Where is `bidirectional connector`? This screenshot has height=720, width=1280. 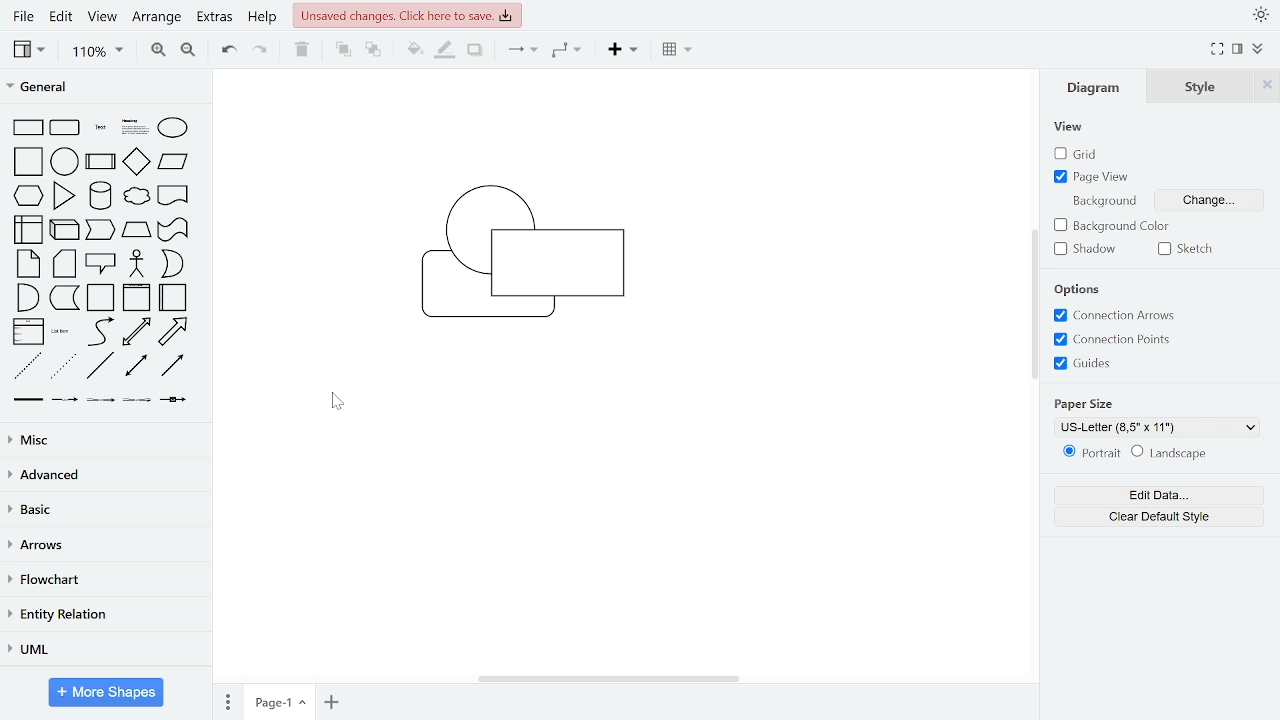
bidirectional connector is located at coordinates (137, 366).